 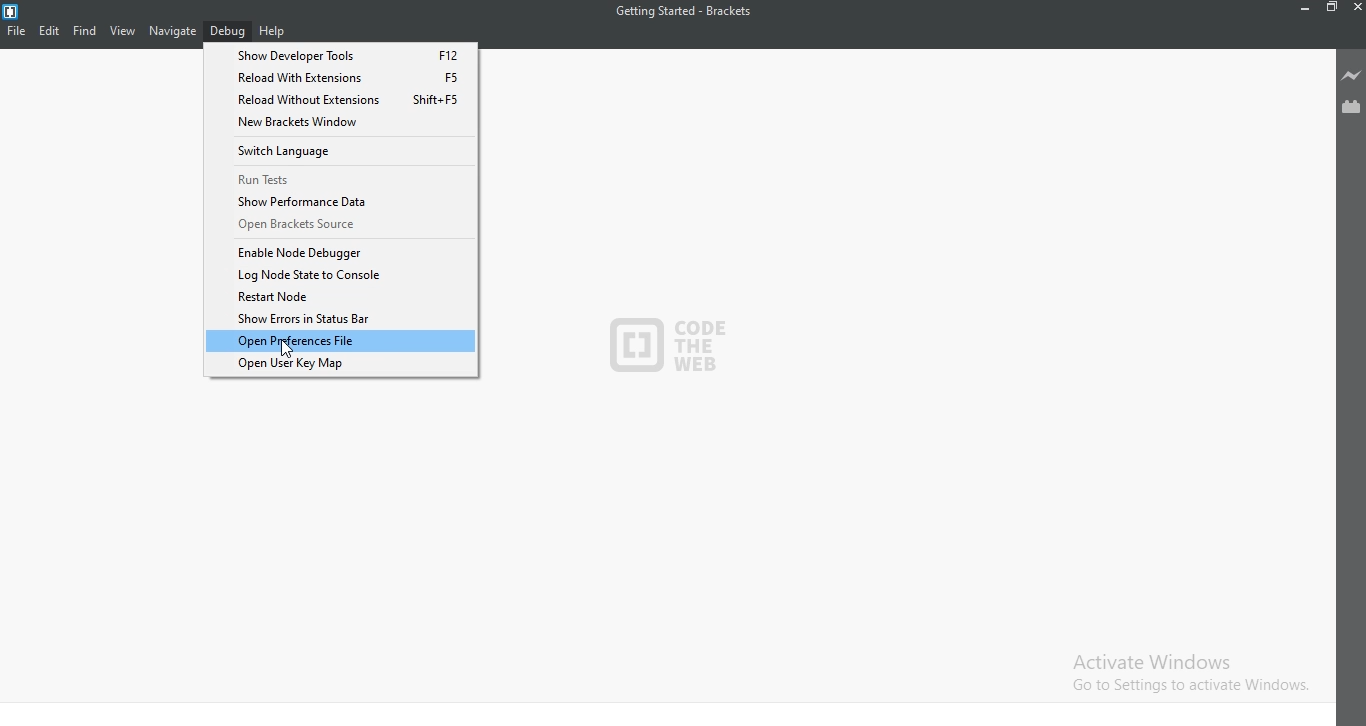 I want to click on show performance data, so click(x=339, y=201).